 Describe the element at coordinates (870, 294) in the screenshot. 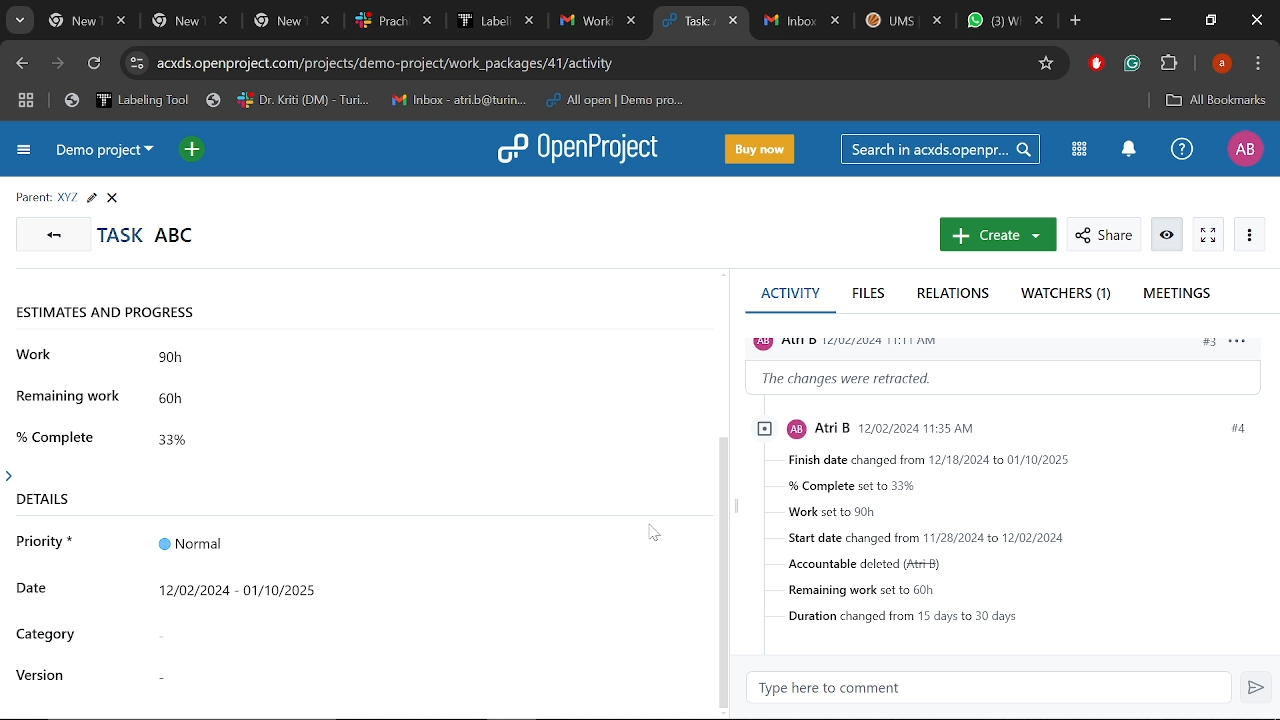

I see `Files` at that location.